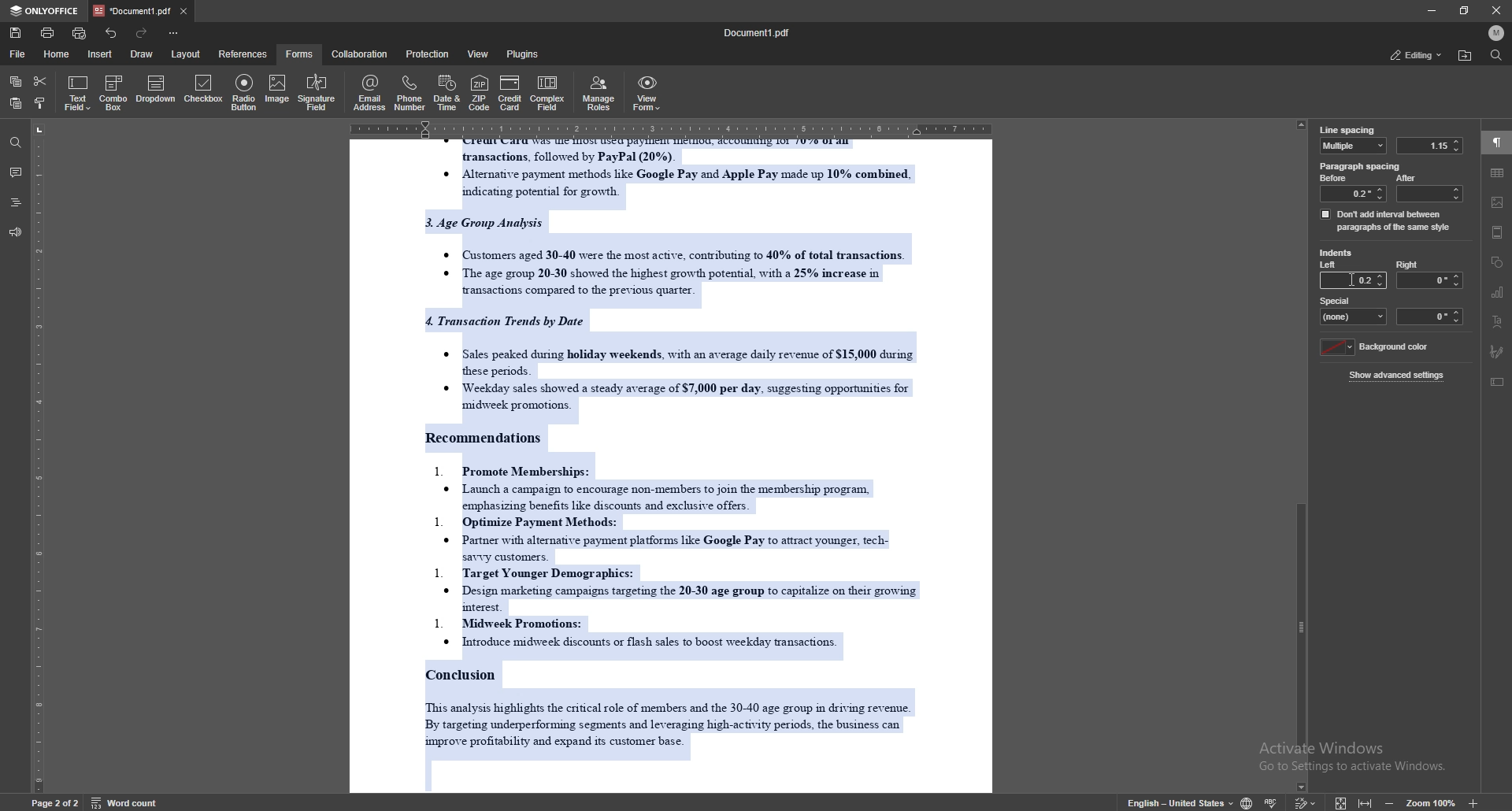 This screenshot has width=1512, height=811. What do you see at coordinates (47, 11) in the screenshot?
I see `onlyoffice` at bounding box center [47, 11].